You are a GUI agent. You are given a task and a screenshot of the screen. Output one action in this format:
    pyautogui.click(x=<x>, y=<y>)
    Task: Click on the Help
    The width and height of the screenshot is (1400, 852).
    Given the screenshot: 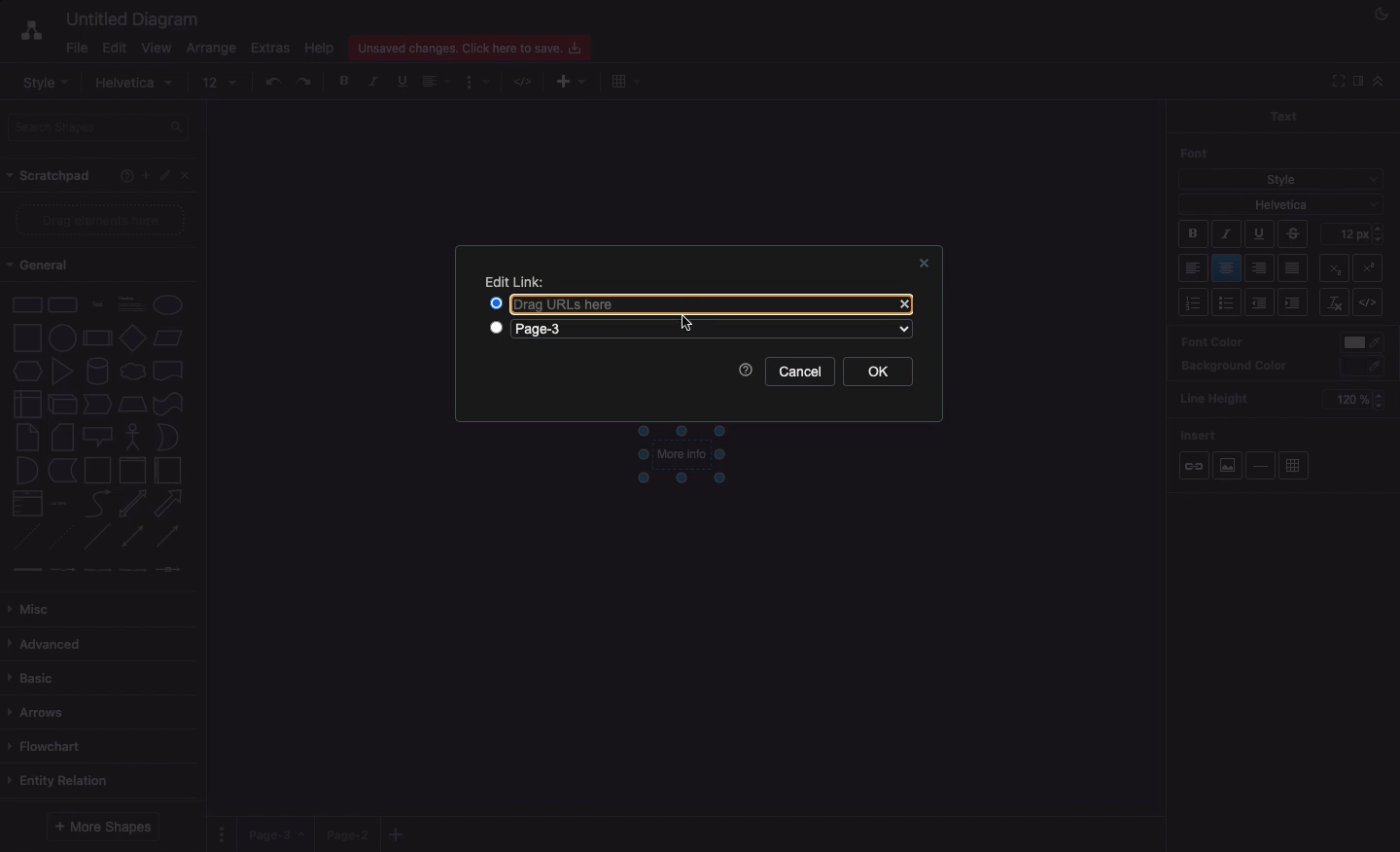 What is the action you would take?
    pyautogui.click(x=746, y=371)
    